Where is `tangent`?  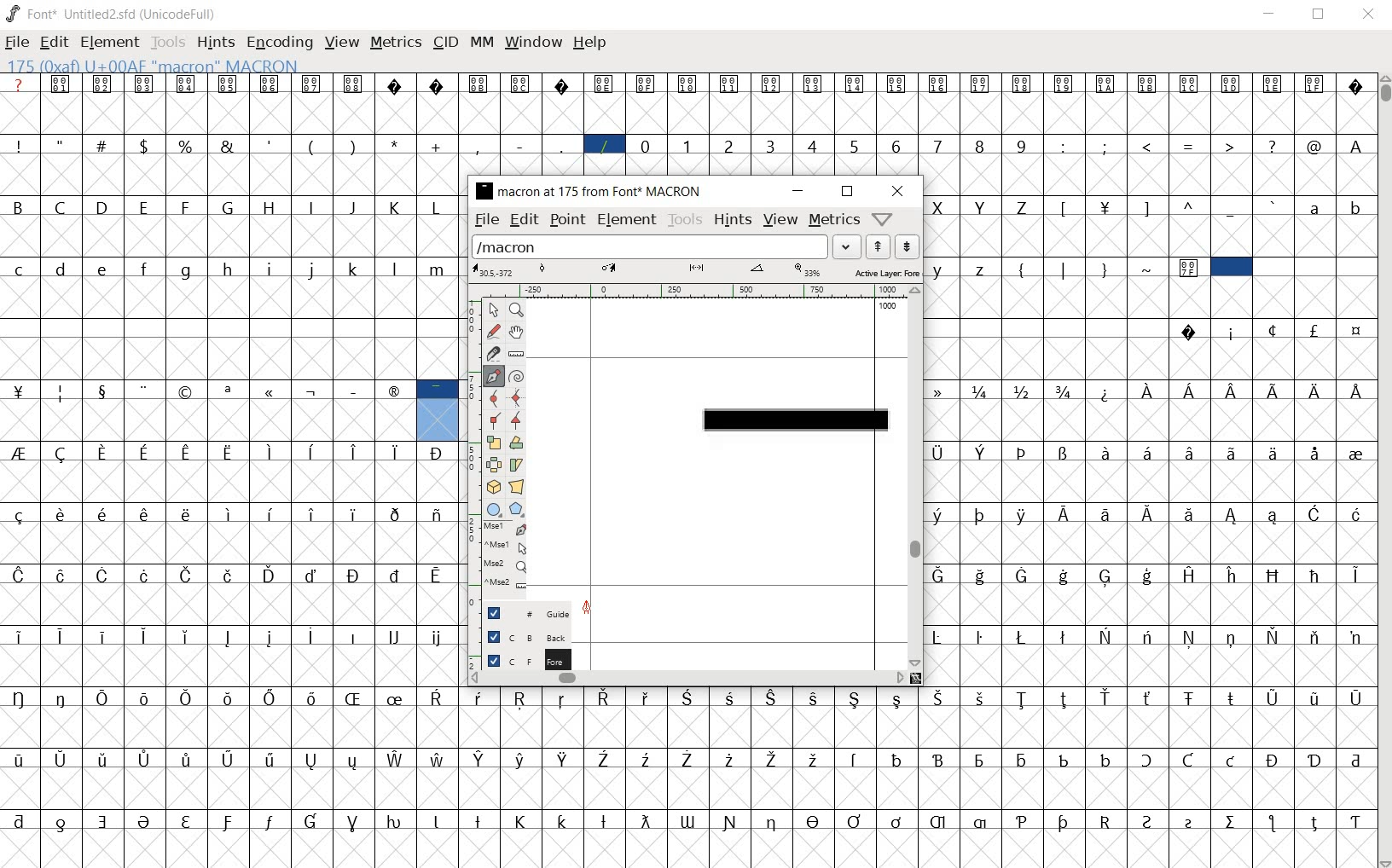
tangent is located at coordinates (513, 420).